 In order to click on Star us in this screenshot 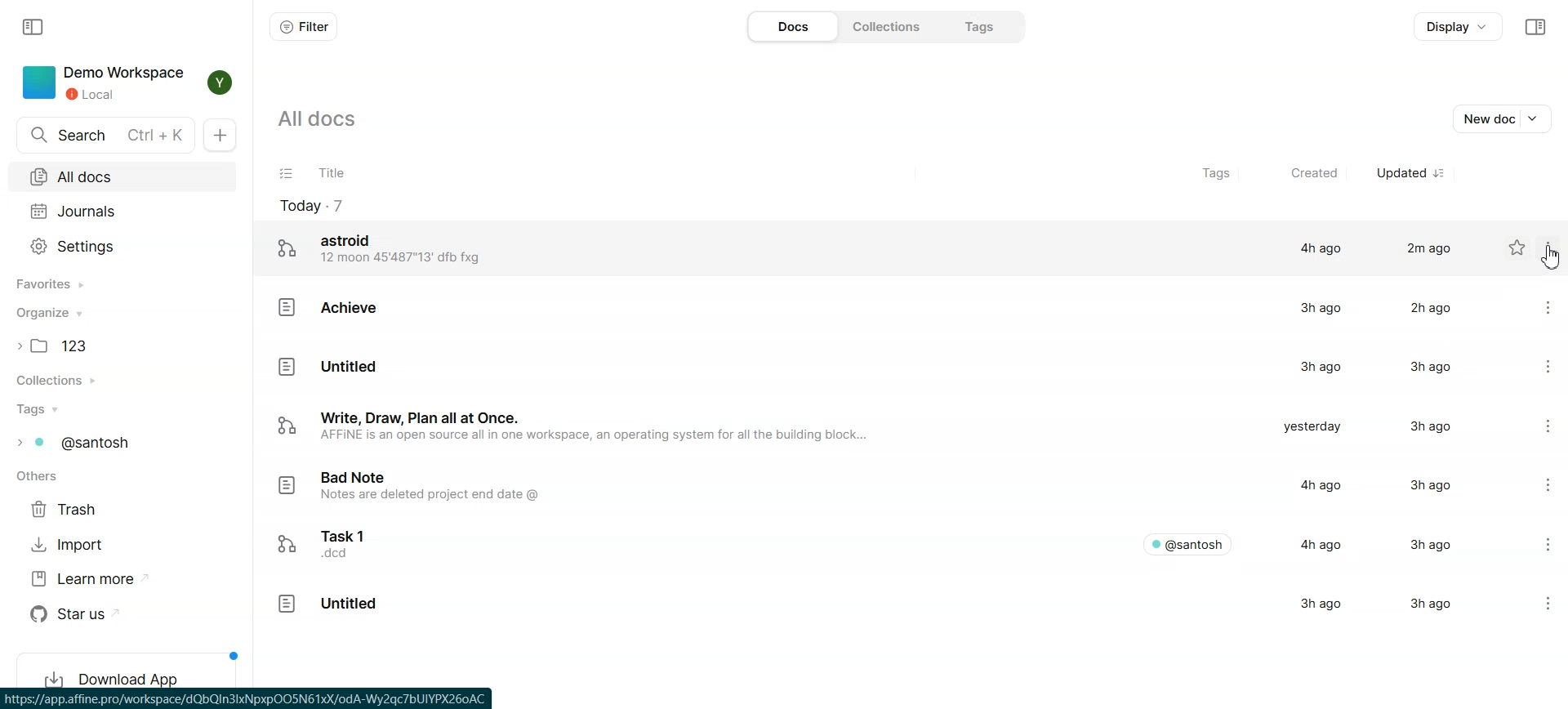, I will do `click(81, 614)`.